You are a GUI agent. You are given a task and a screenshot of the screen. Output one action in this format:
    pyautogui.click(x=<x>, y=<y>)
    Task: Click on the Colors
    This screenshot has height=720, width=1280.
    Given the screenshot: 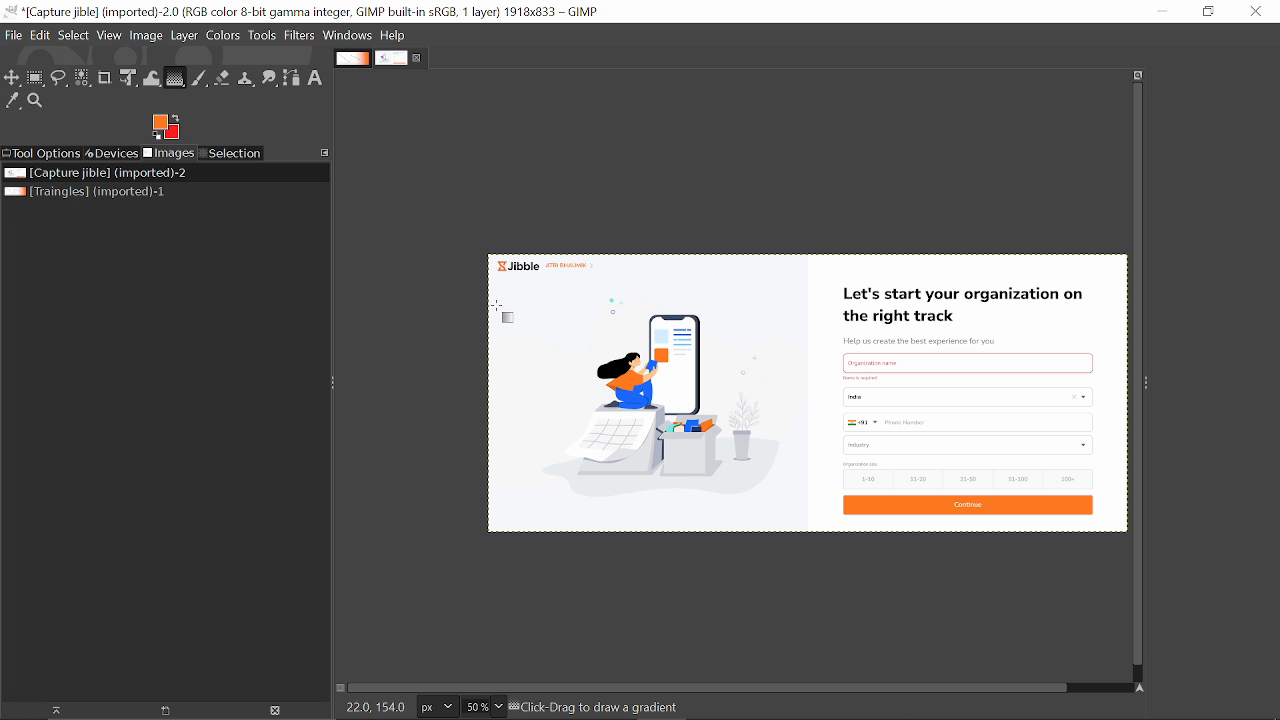 What is the action you would take?
    pyautogui.click(x=225, y=36)
    